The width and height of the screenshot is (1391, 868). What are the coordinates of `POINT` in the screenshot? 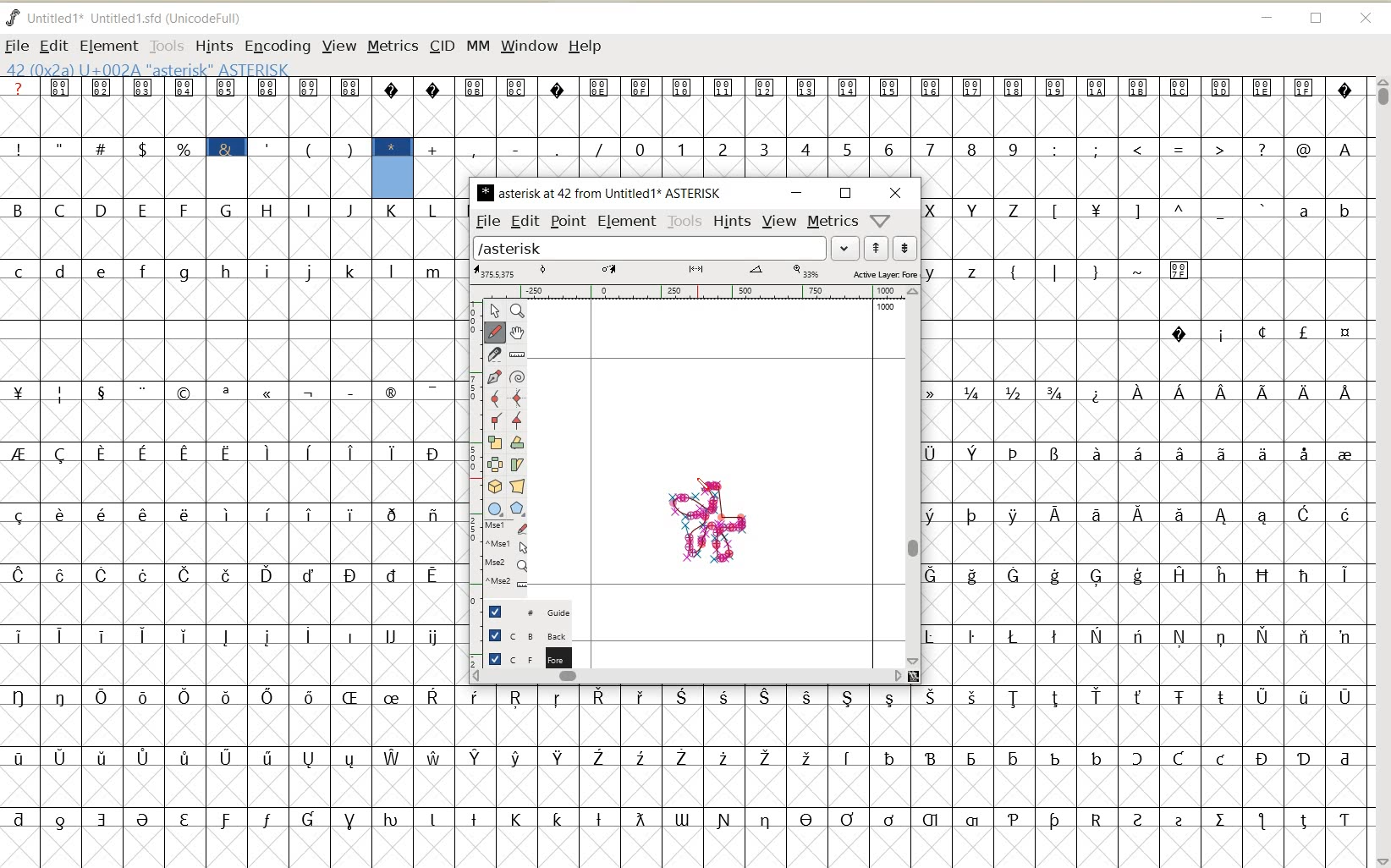 It's located at (569, 222).